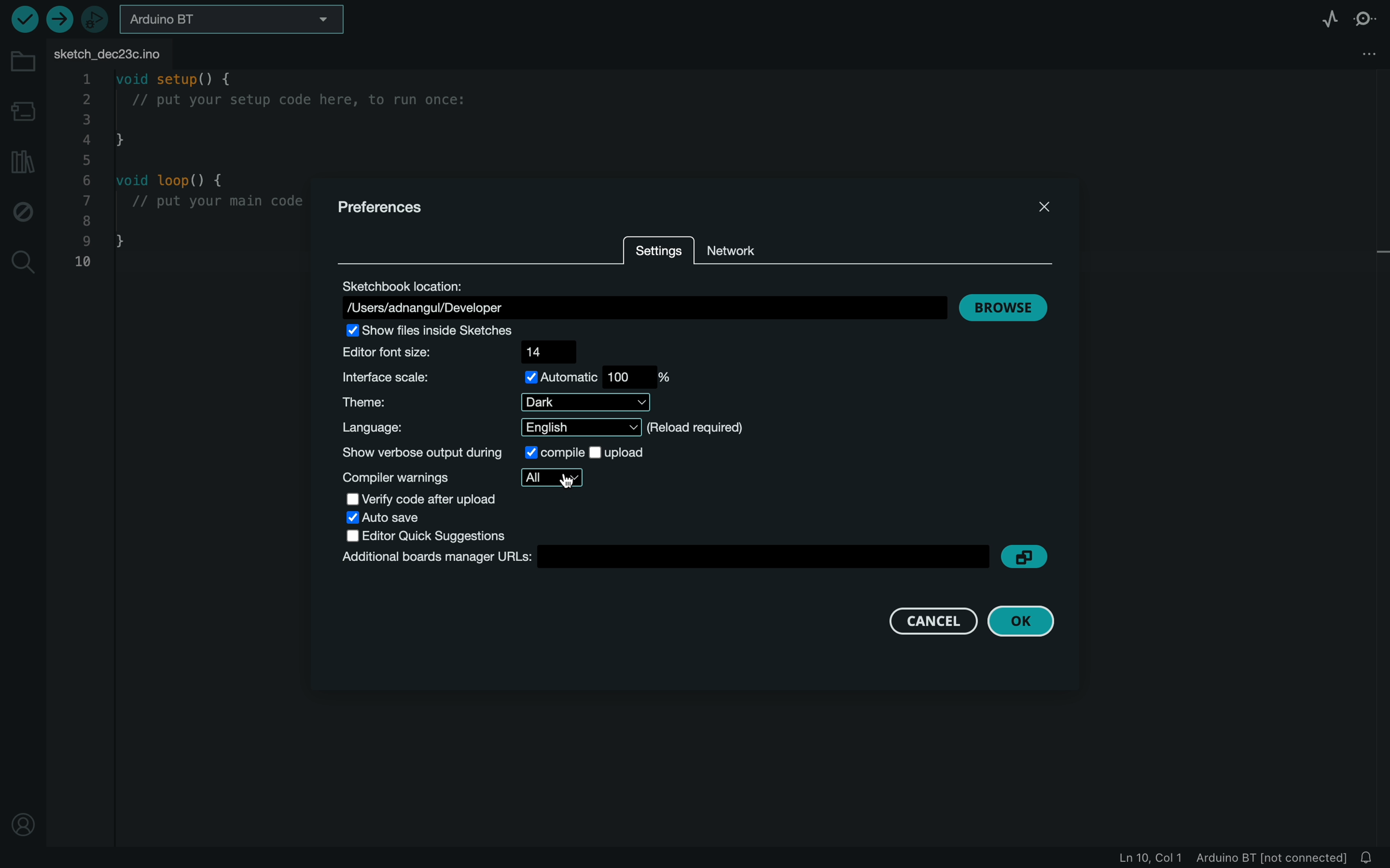 Image resolution: width=1390 pixels, height=868 pixels. Describe the element at coordinates (24, 211) in the screenshot. I see `debug` at that location.